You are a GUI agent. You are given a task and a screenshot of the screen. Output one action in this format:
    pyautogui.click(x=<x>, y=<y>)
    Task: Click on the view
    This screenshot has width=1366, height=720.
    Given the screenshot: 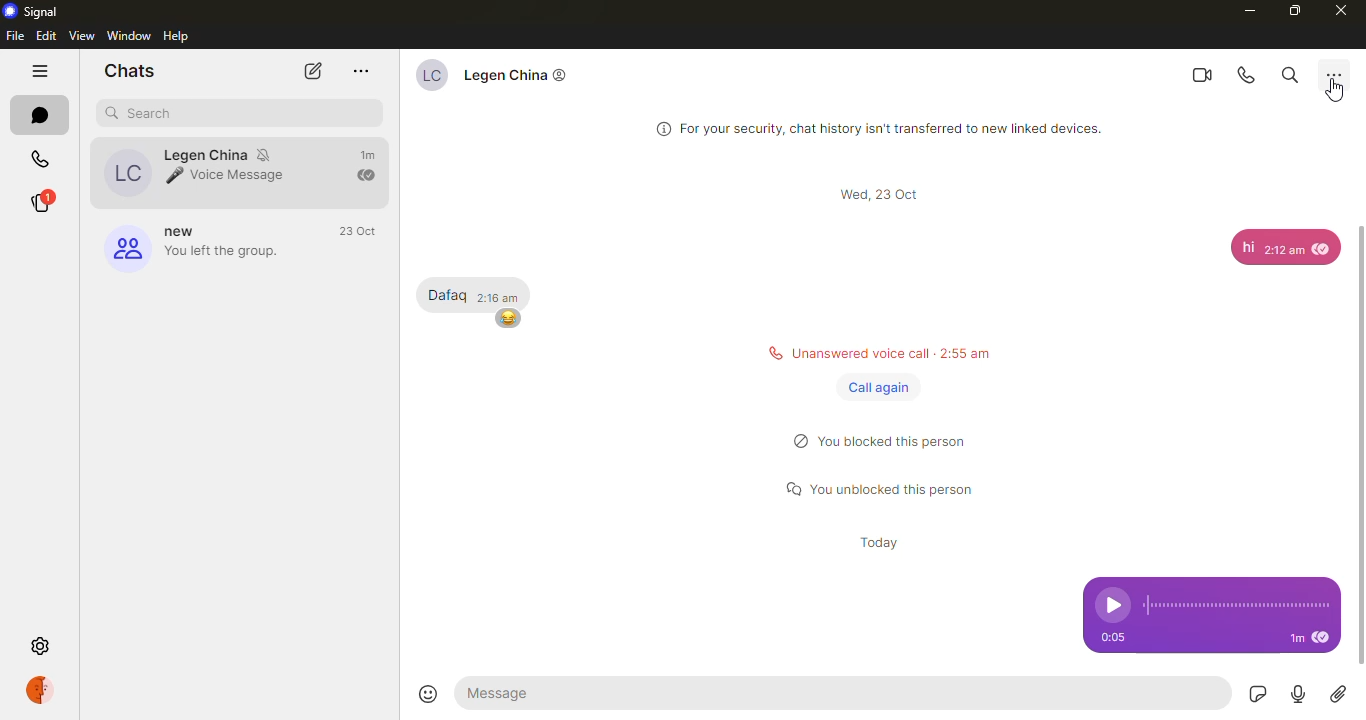 What is the action you would take?
    pyautogui.click(x=81, y=36)
    